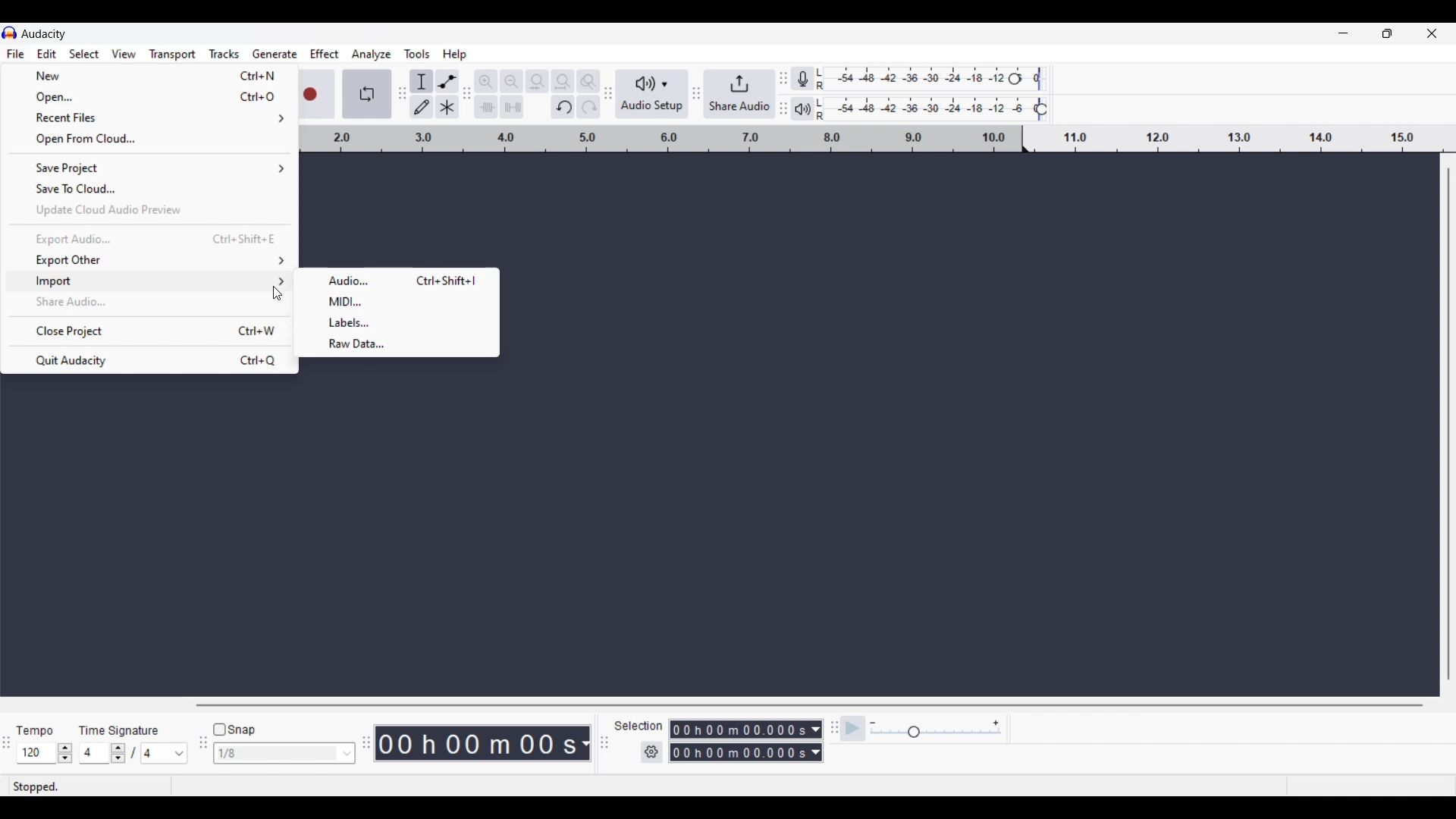 Image resolution: width=1456 pixels, height=819 pixels. Describe the element at coordinates (563, 82) in the screenshot. I see `Fit project to width` at that location.